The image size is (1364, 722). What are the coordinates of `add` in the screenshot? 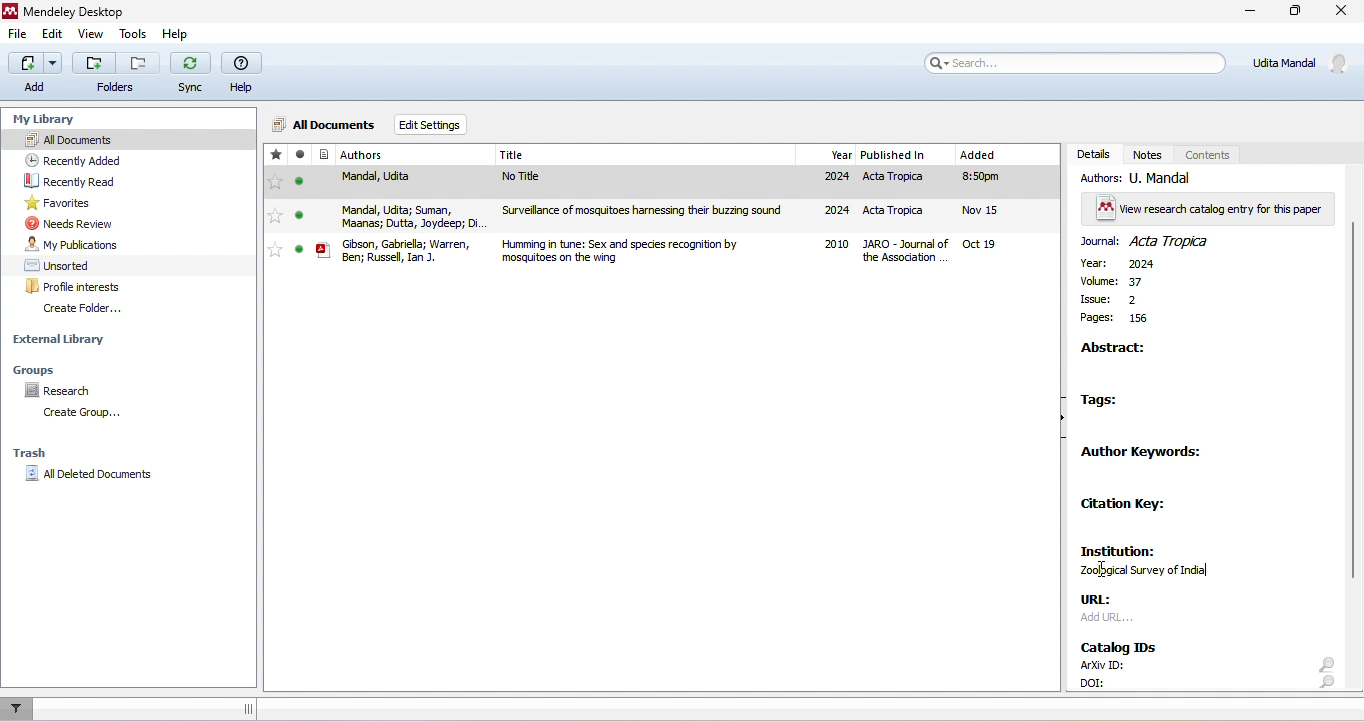 It's located at (94, 62).